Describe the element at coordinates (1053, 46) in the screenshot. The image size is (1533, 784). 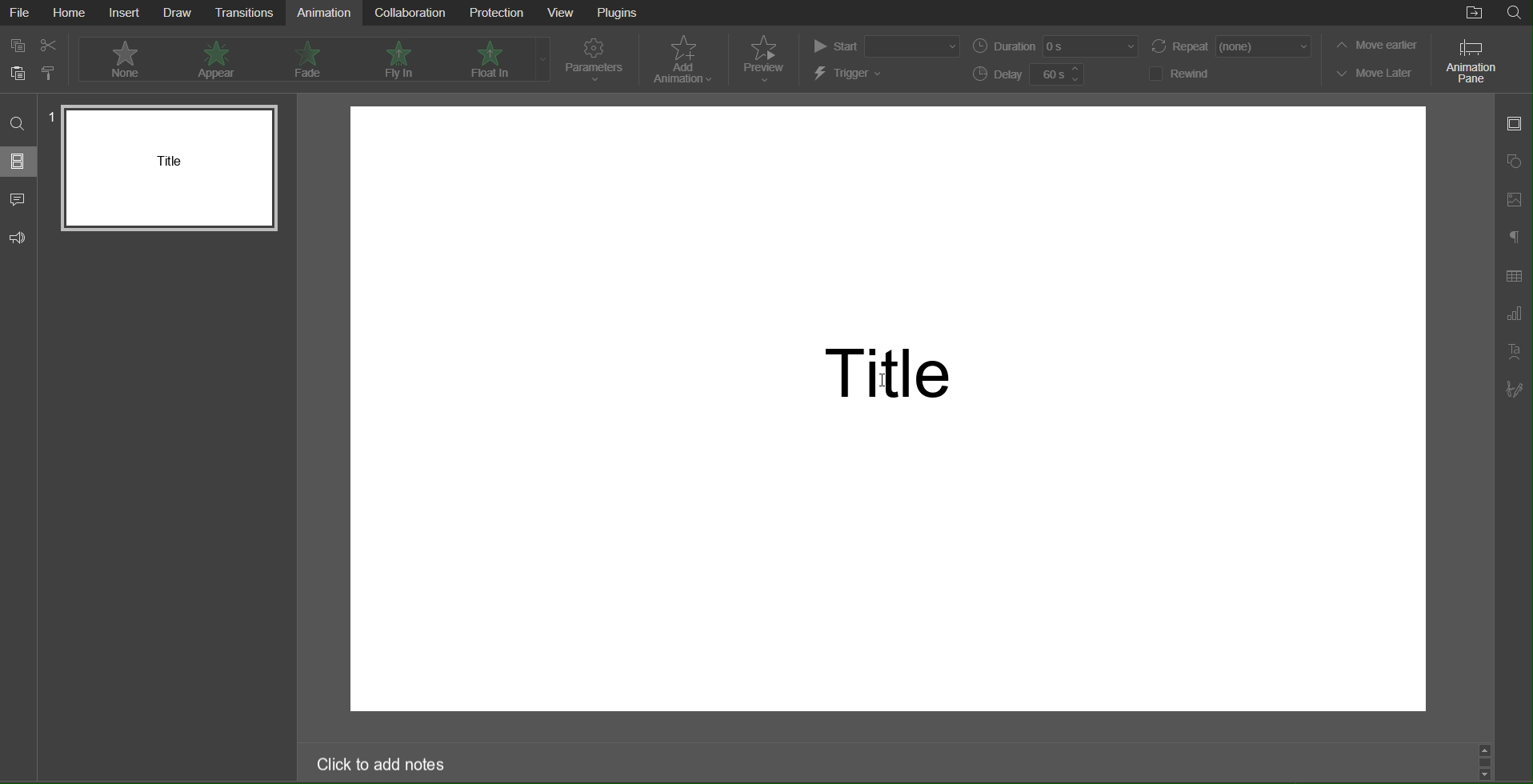
I see `Duration` at that location.